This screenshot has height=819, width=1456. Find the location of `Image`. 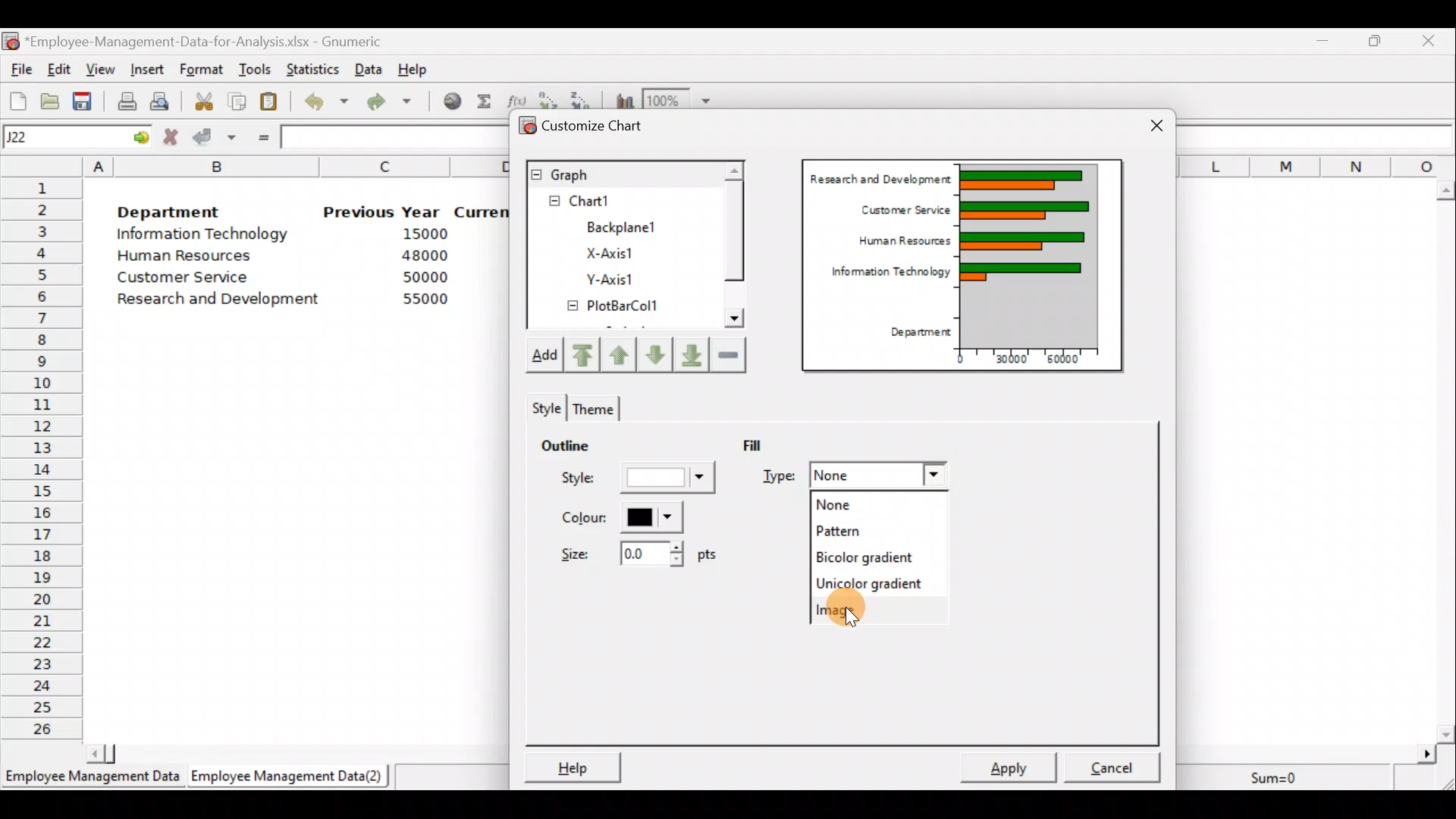

Image is located at coordinates (859, 613).